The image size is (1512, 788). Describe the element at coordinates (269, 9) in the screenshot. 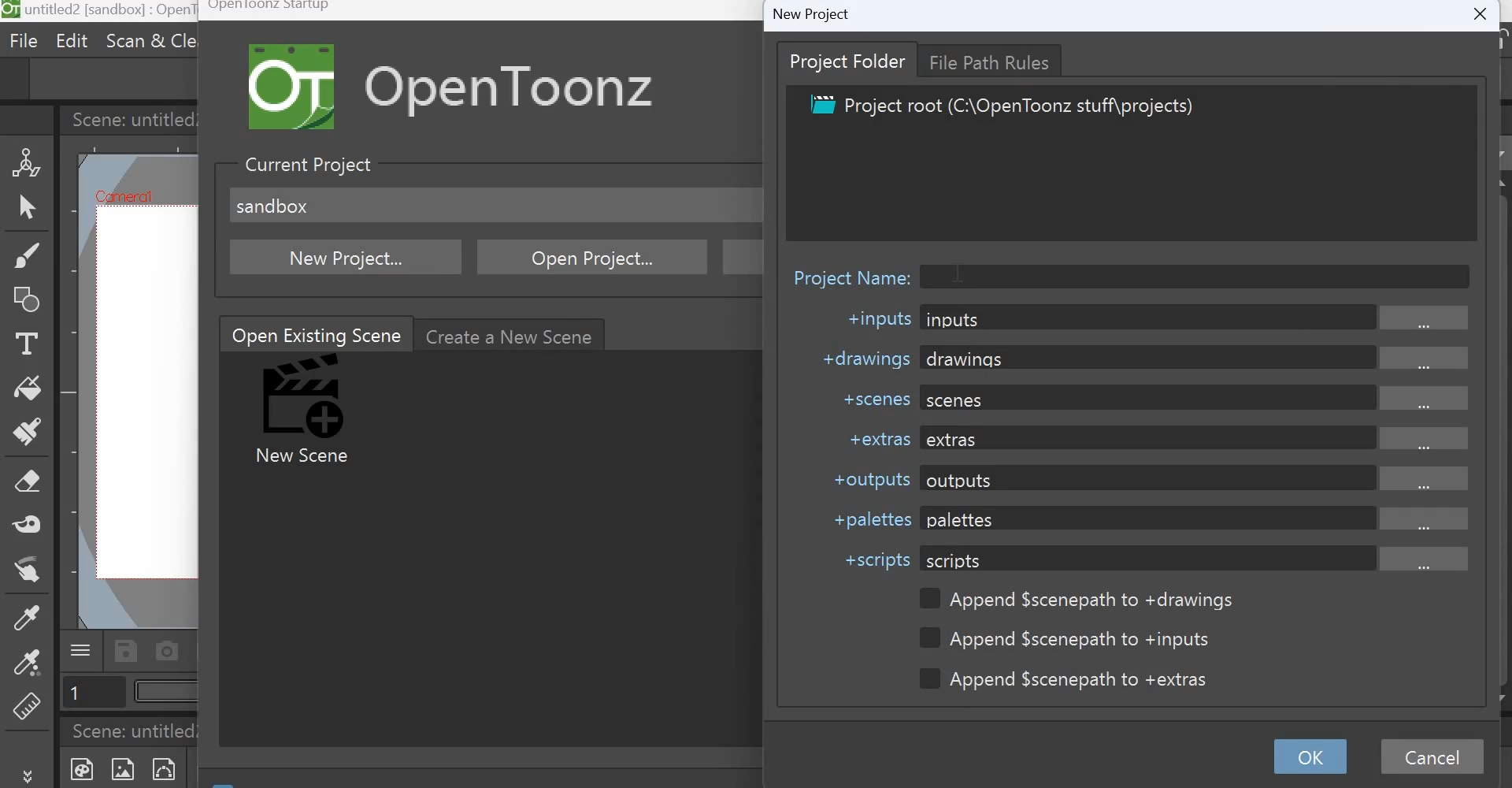

I see `Opentoonz Startup` at that location.